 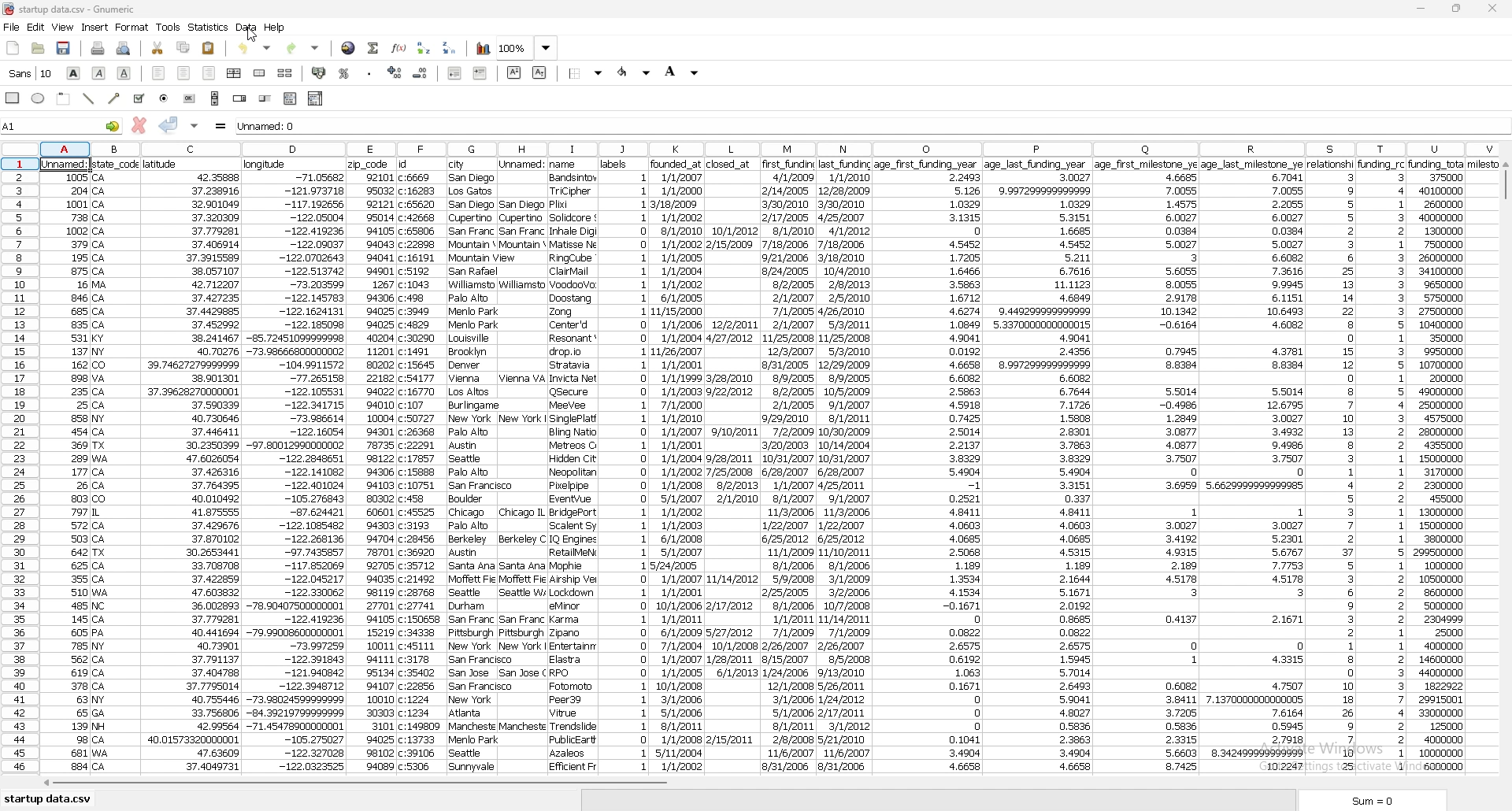 What do you see at coordinates (844, 464) in the screenshot?
I see `data` at bounding box center [844, 464].